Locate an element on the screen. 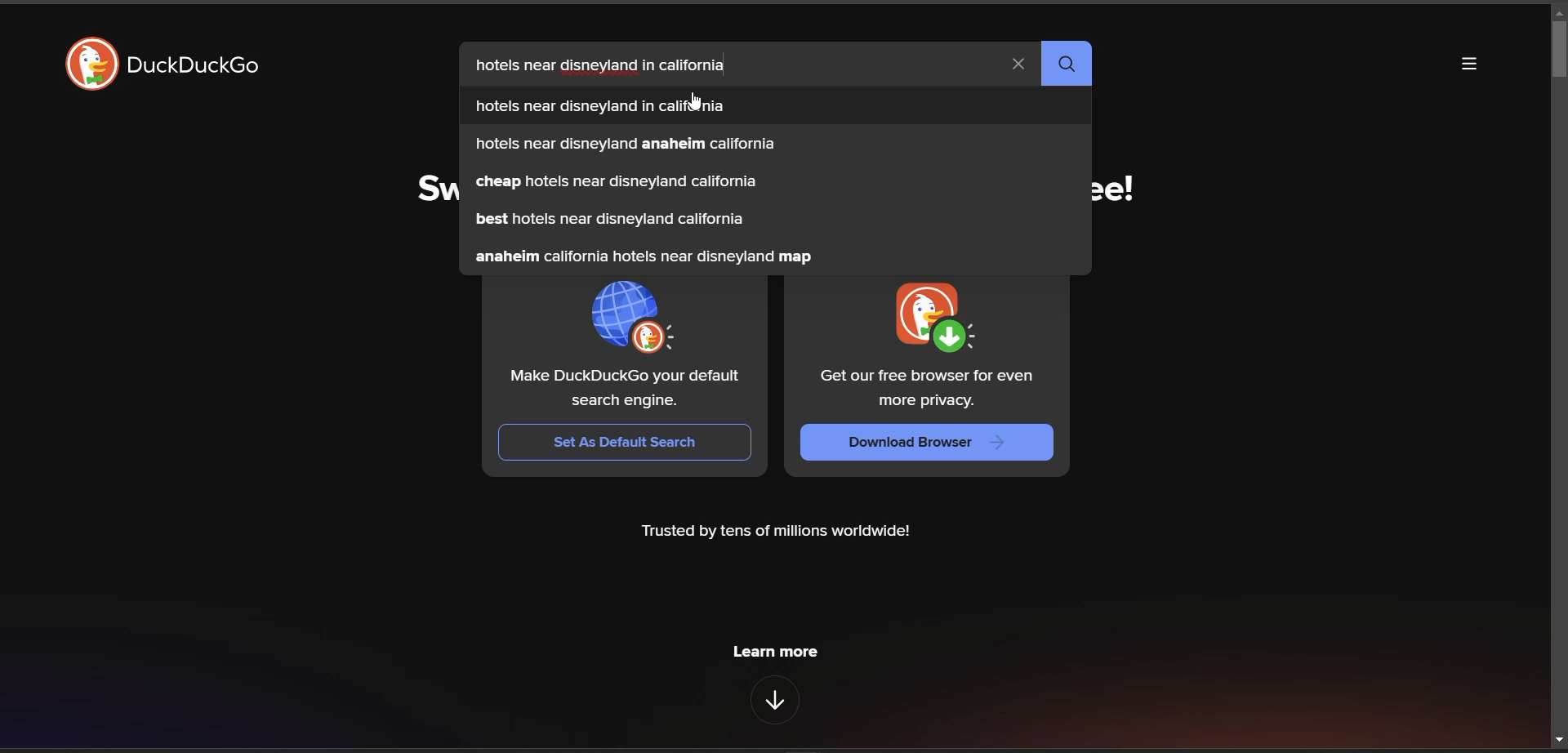 The image size is (1568, 753). cheap hotels near disneyland california is located at coordinates (615, 182).